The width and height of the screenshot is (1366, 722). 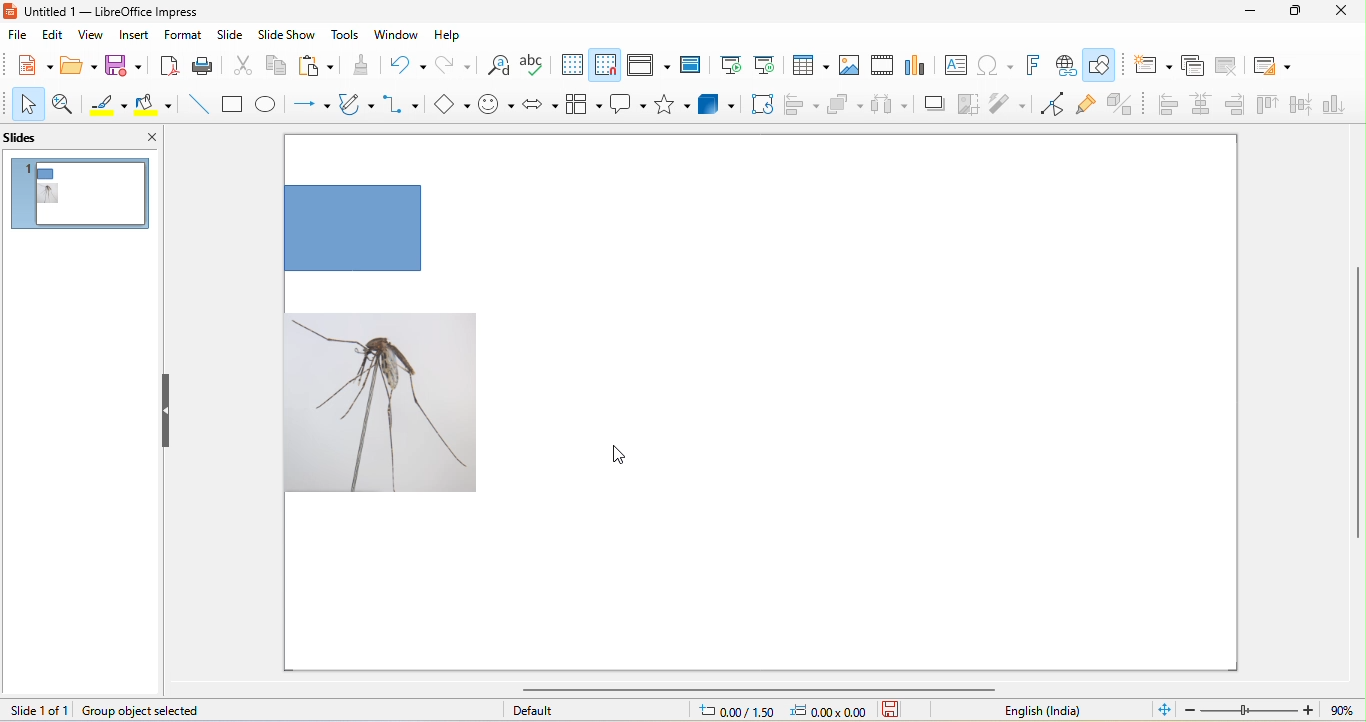 I want to click on line, so click(x=201, y=105).